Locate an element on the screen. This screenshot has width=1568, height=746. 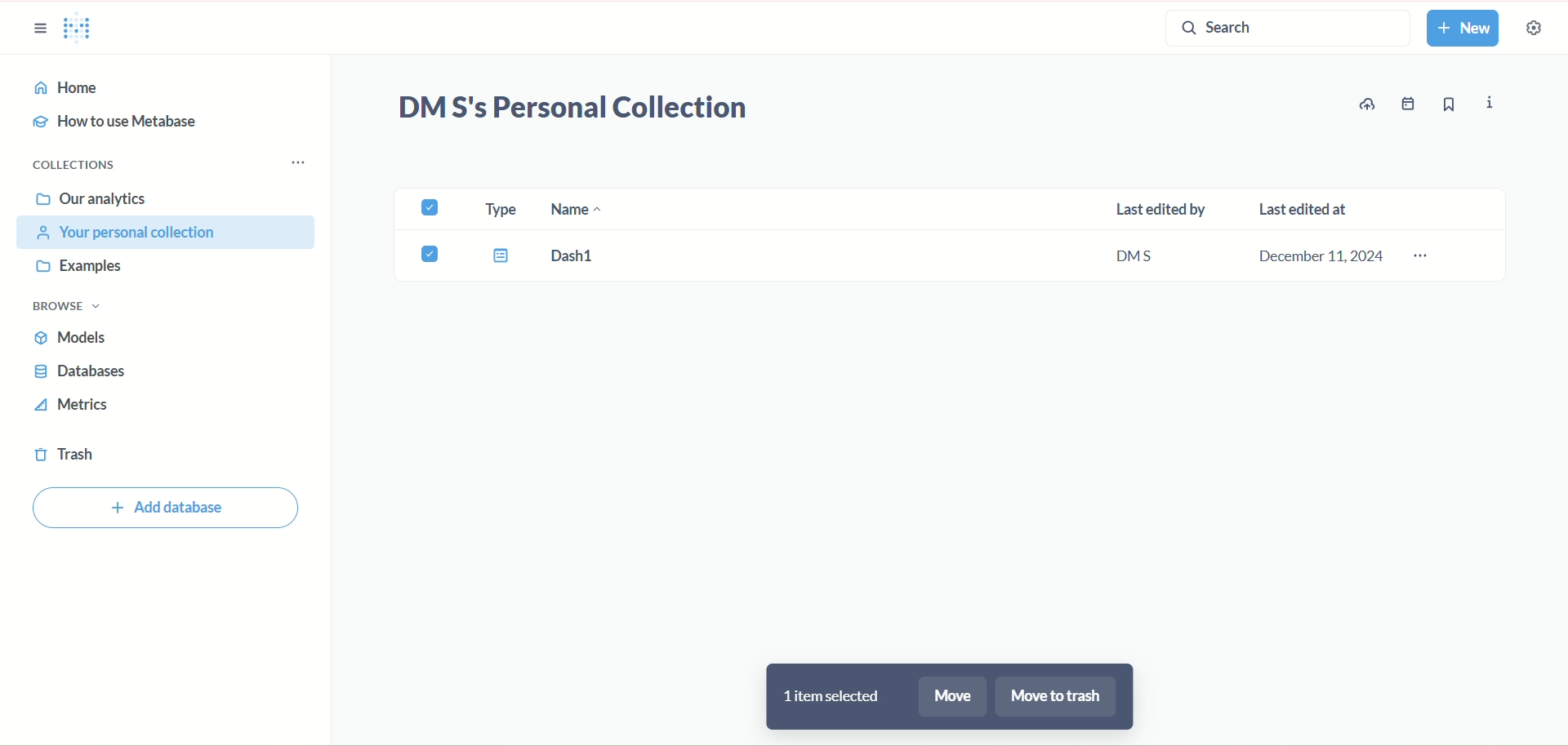
databases is located at coordinates (86, 371).